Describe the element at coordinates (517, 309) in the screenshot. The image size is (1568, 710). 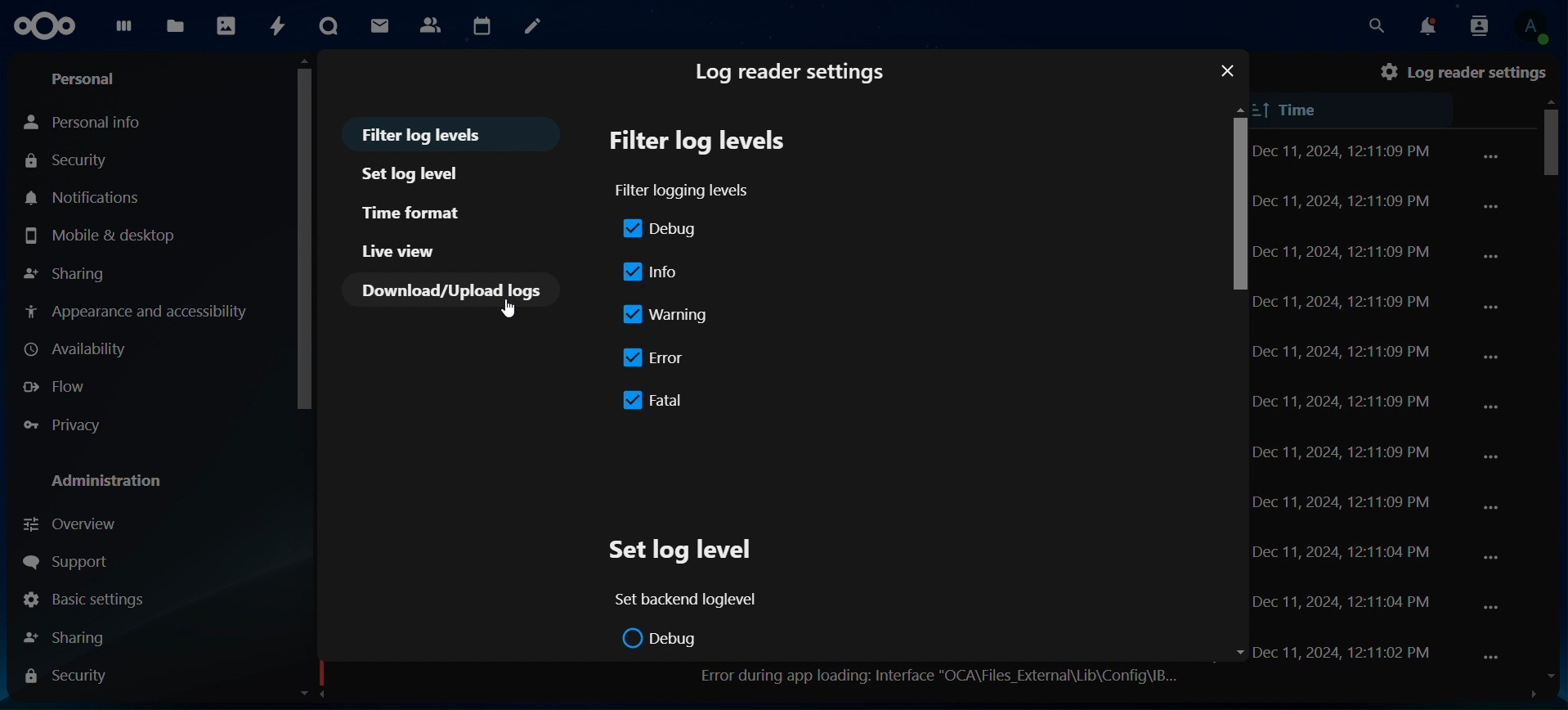
I see `cursor` at that location.